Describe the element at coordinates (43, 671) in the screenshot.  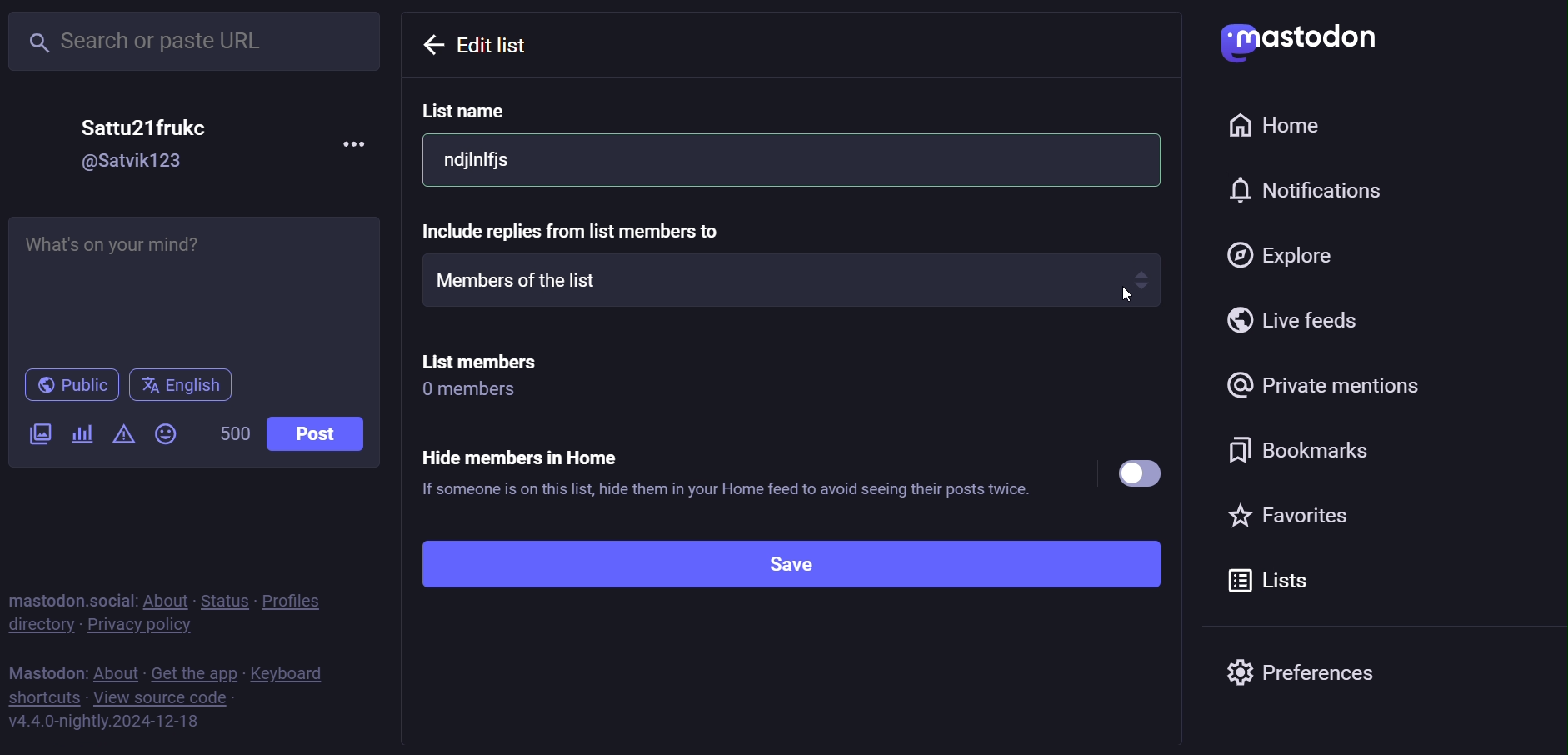
I see `mastodon` at that location.